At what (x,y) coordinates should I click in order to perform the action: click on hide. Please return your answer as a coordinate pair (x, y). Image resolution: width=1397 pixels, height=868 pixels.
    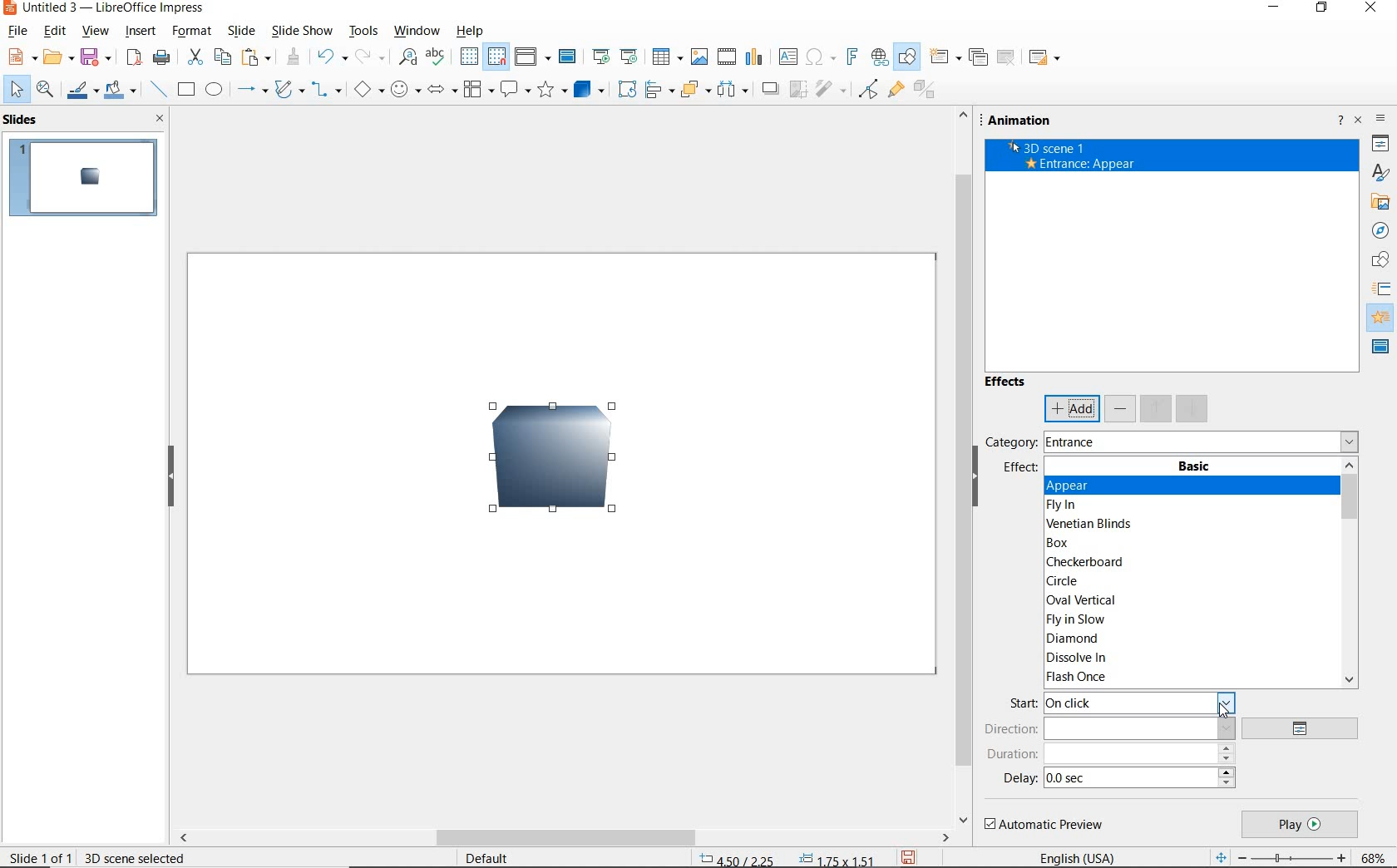
    Looking at the image, I should click on (172, 480).